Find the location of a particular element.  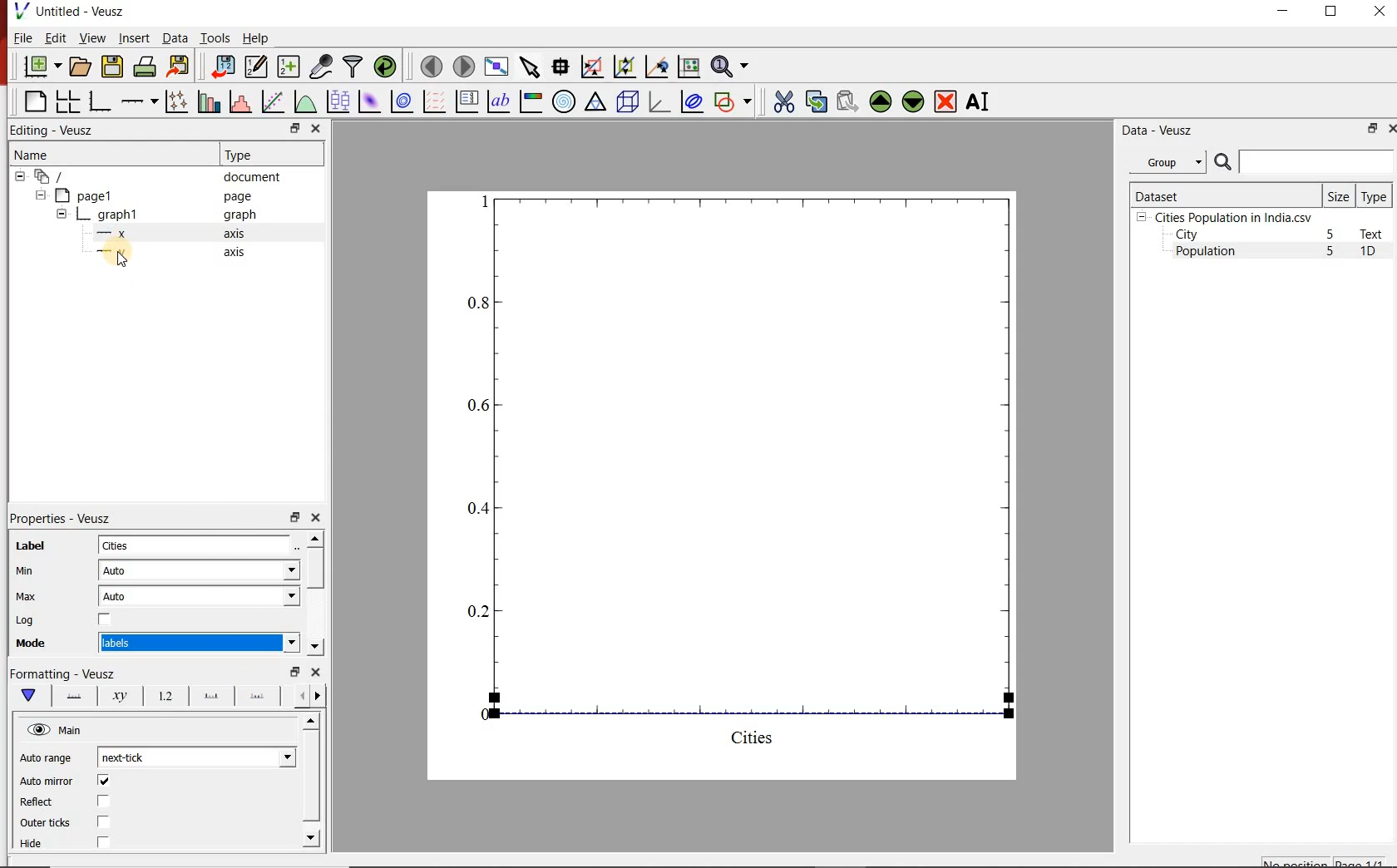

search dataset is located at coordinates (1305, 162).